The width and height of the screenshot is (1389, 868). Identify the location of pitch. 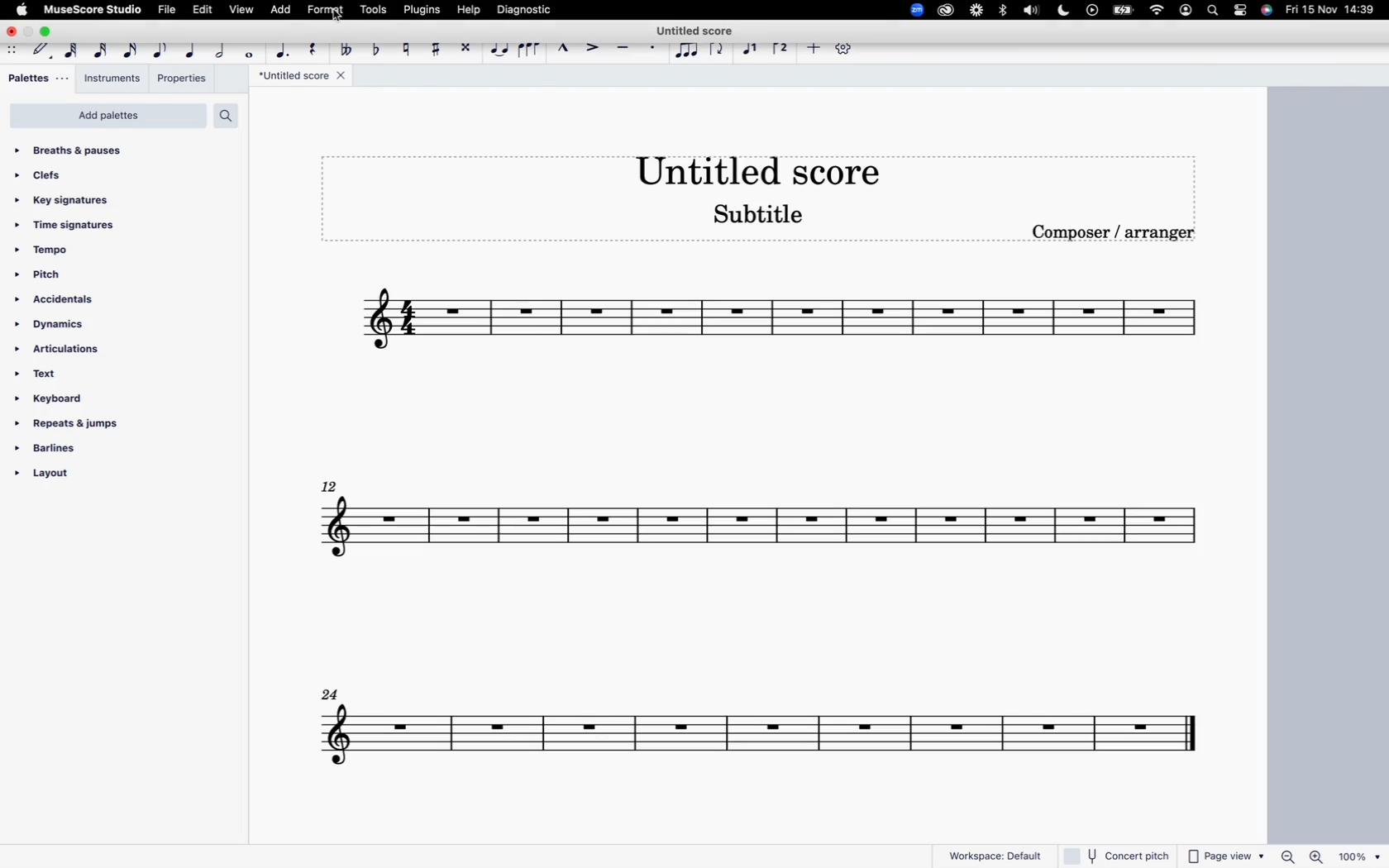
(59, 276).